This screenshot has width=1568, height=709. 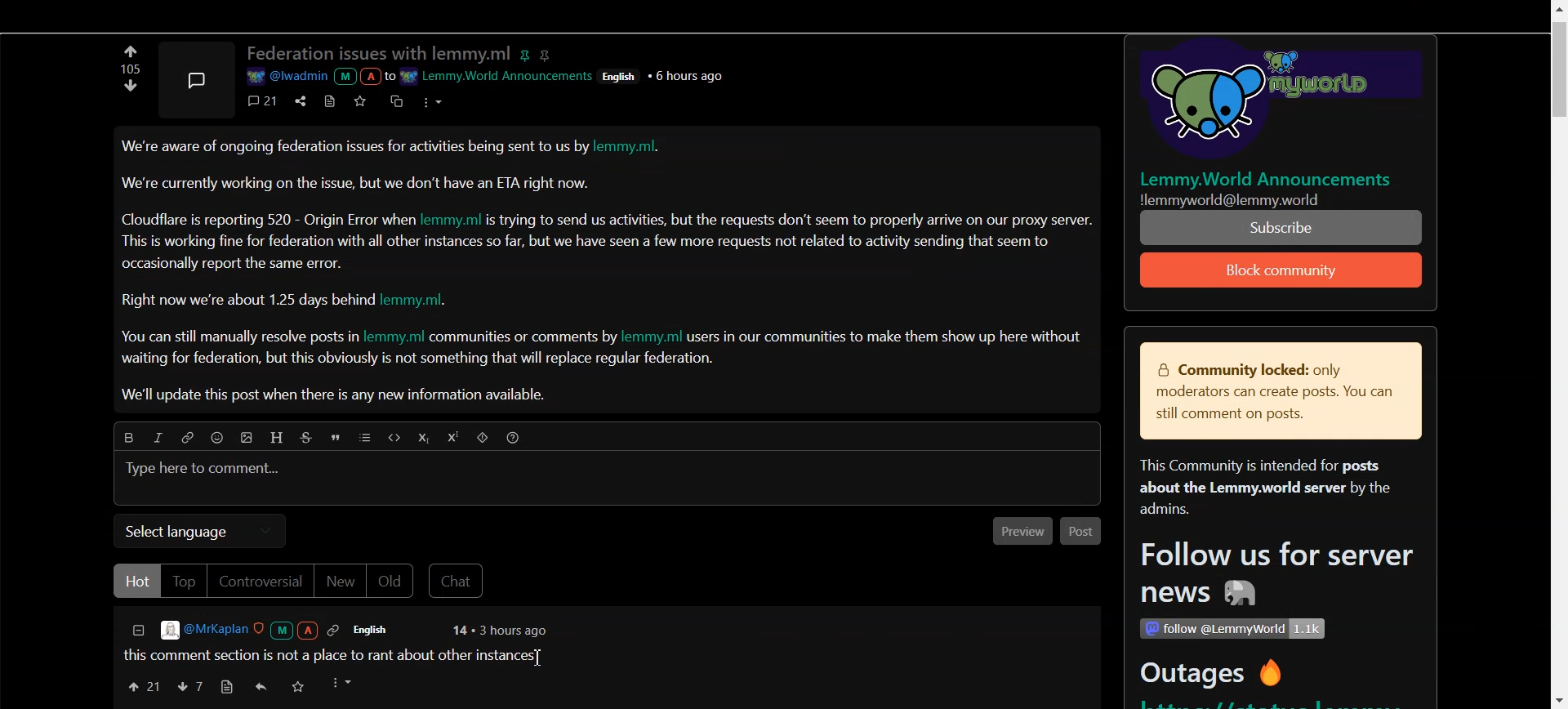 I want to click on comment, so click(x=264, y=100).